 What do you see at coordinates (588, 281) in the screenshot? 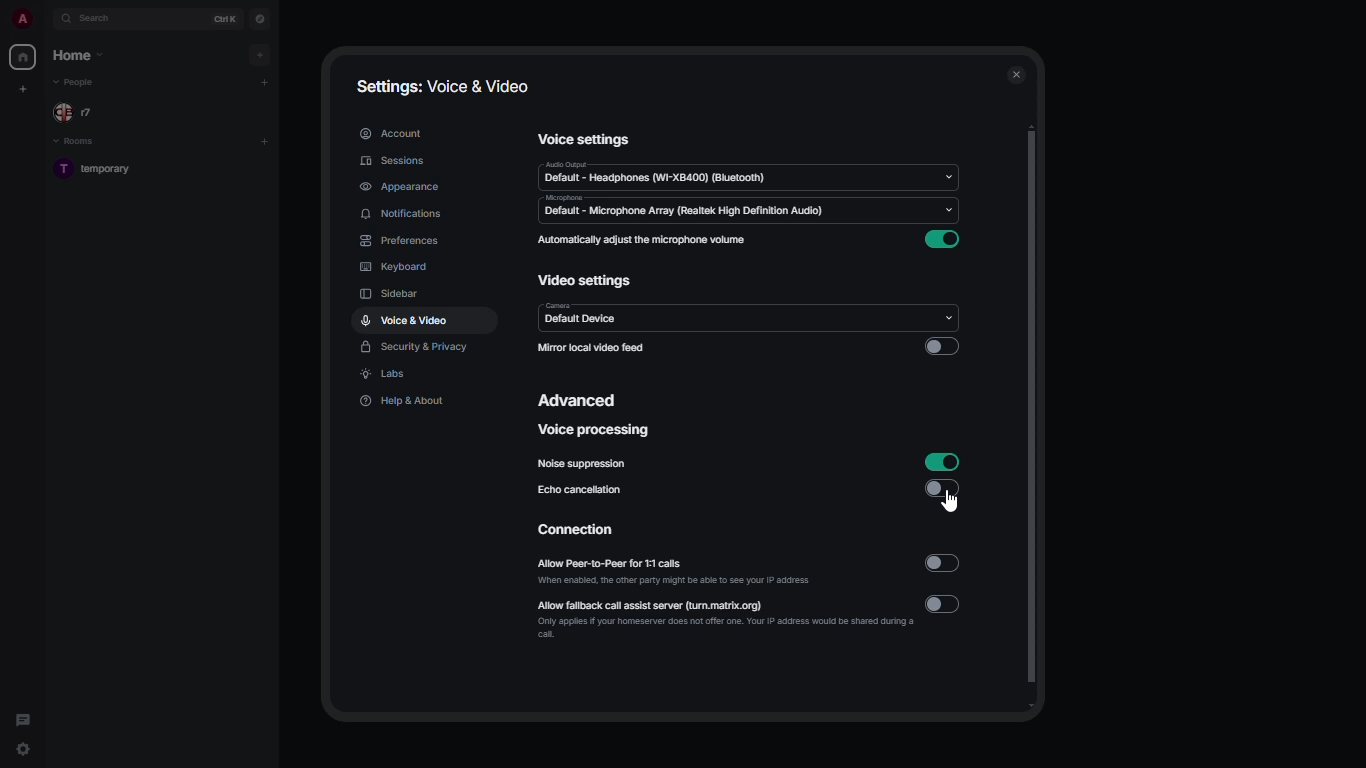
I see `video settings` at bounding box center [588, 281].